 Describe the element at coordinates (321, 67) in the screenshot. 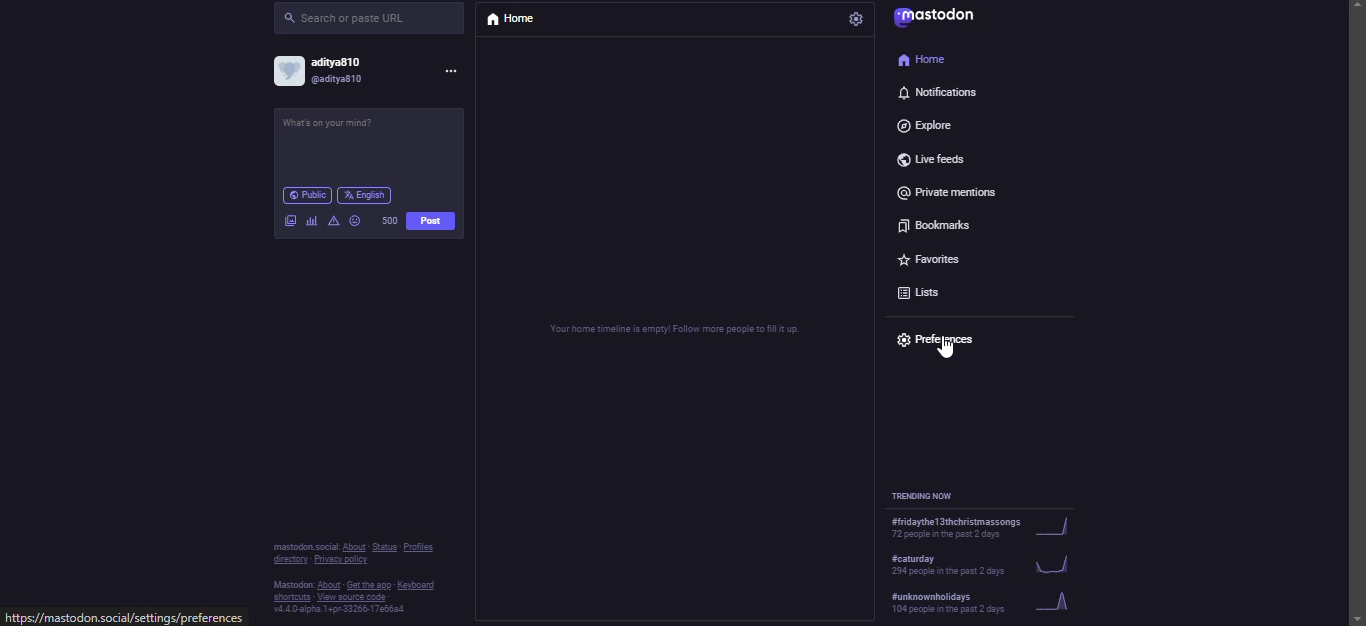

I see `account` at that location.